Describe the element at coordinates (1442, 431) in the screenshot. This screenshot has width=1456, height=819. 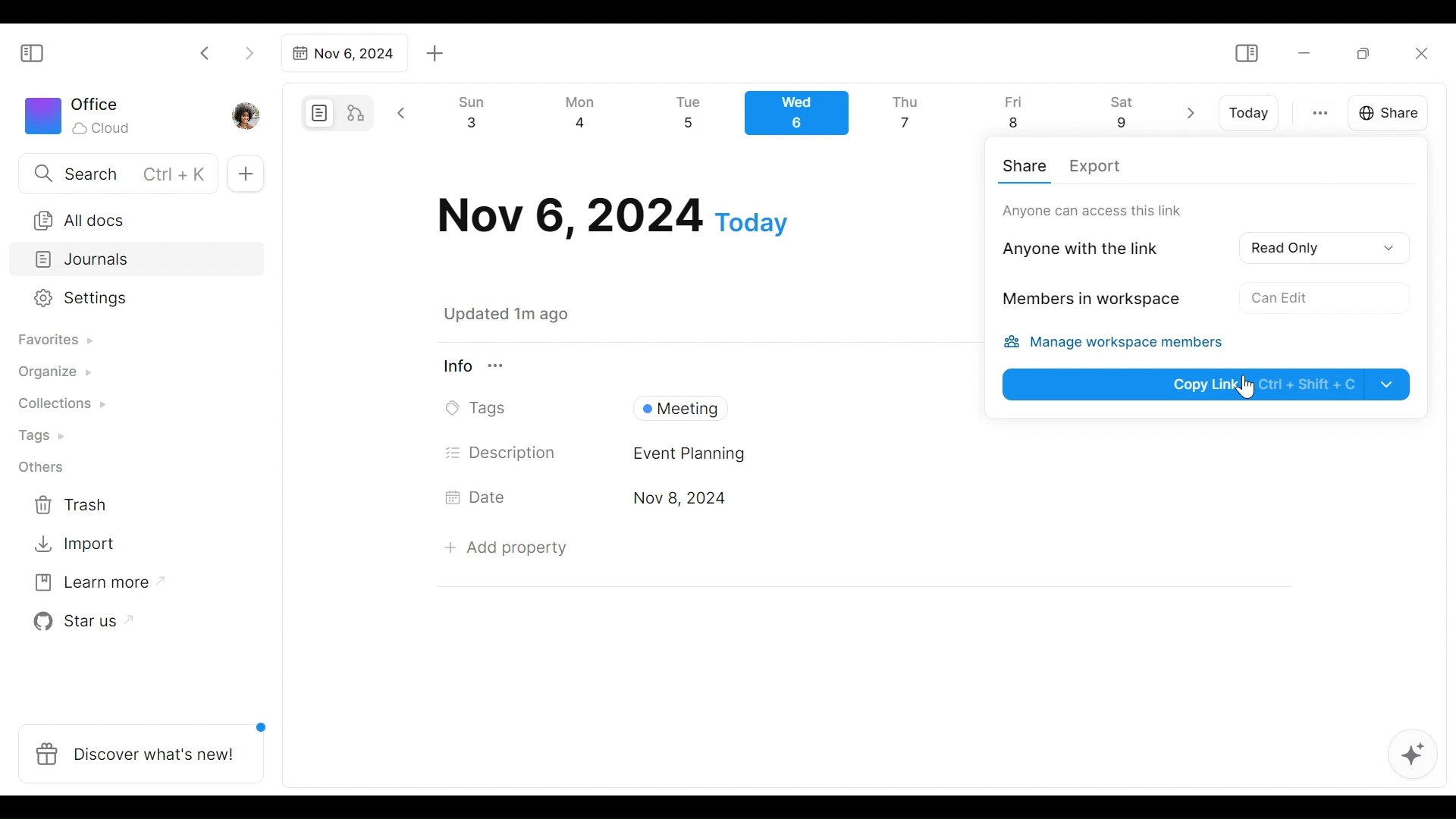
I see `vertical scrollbar` at that location.